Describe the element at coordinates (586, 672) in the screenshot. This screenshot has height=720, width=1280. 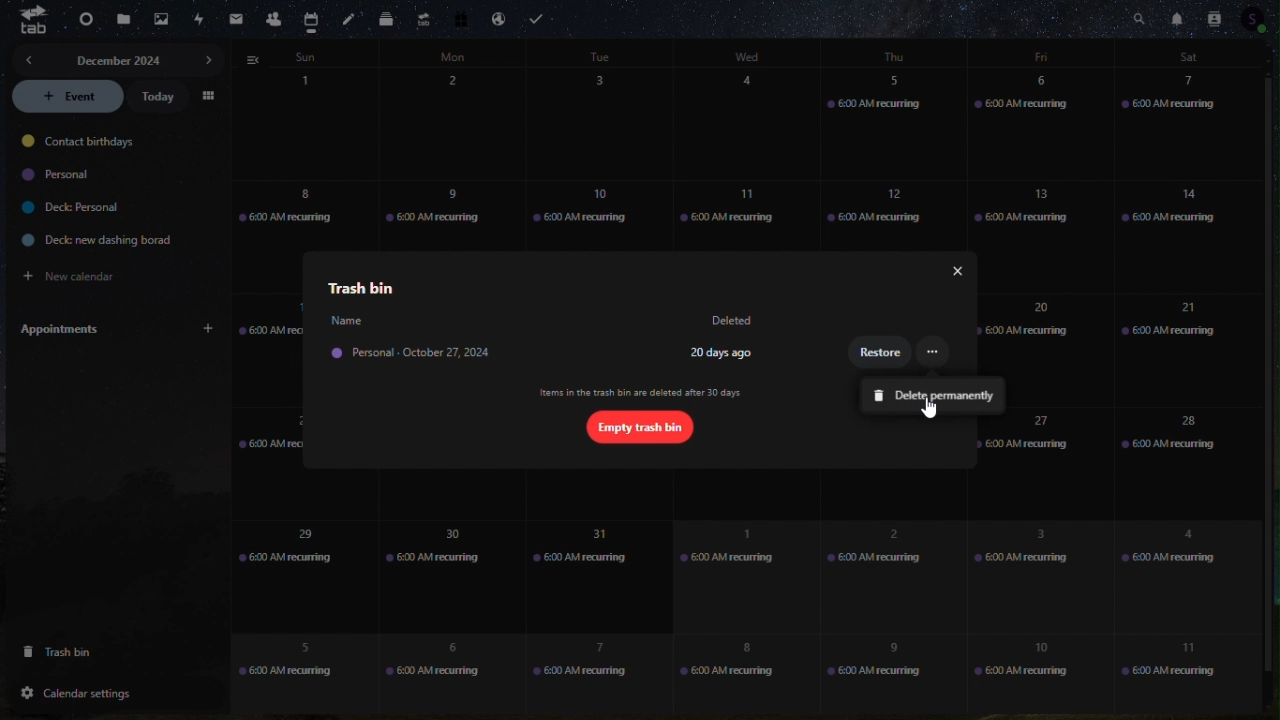
I see `7` at that location.